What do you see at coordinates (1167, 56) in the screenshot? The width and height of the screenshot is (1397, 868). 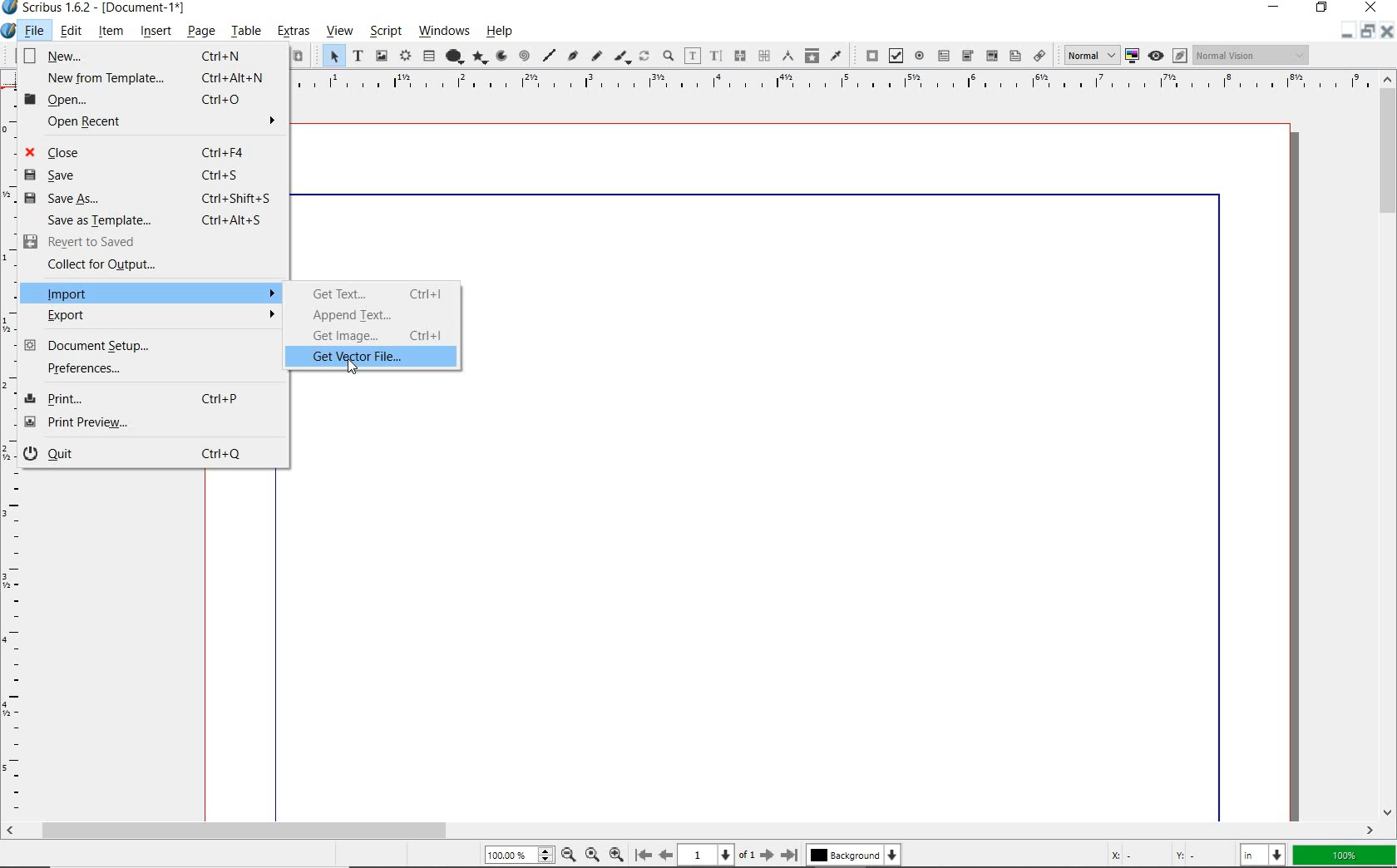 I see `preview mode` at bounding box center [1167, 56].